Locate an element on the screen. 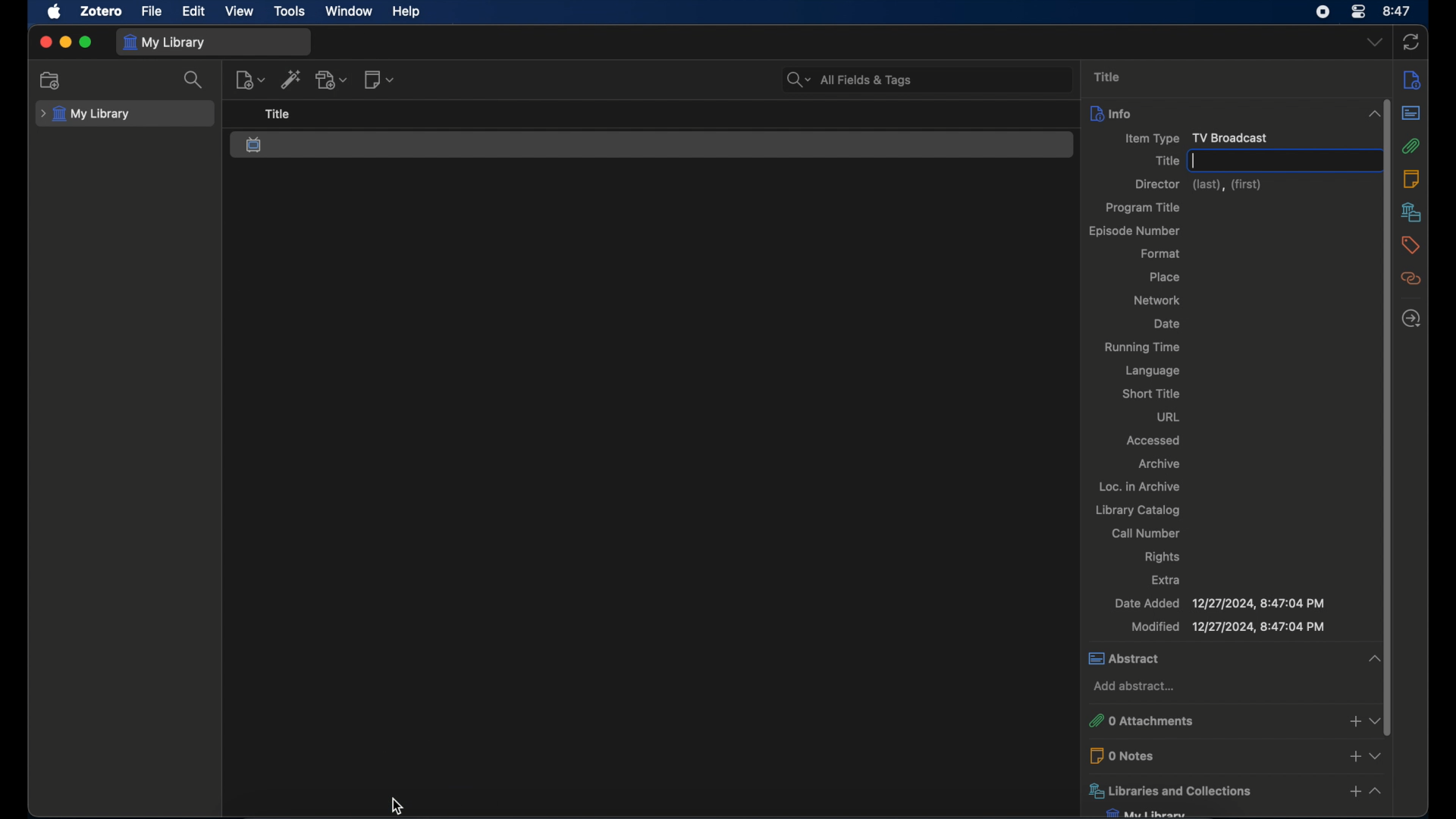  attachments is located at coordinates (1414, 147).